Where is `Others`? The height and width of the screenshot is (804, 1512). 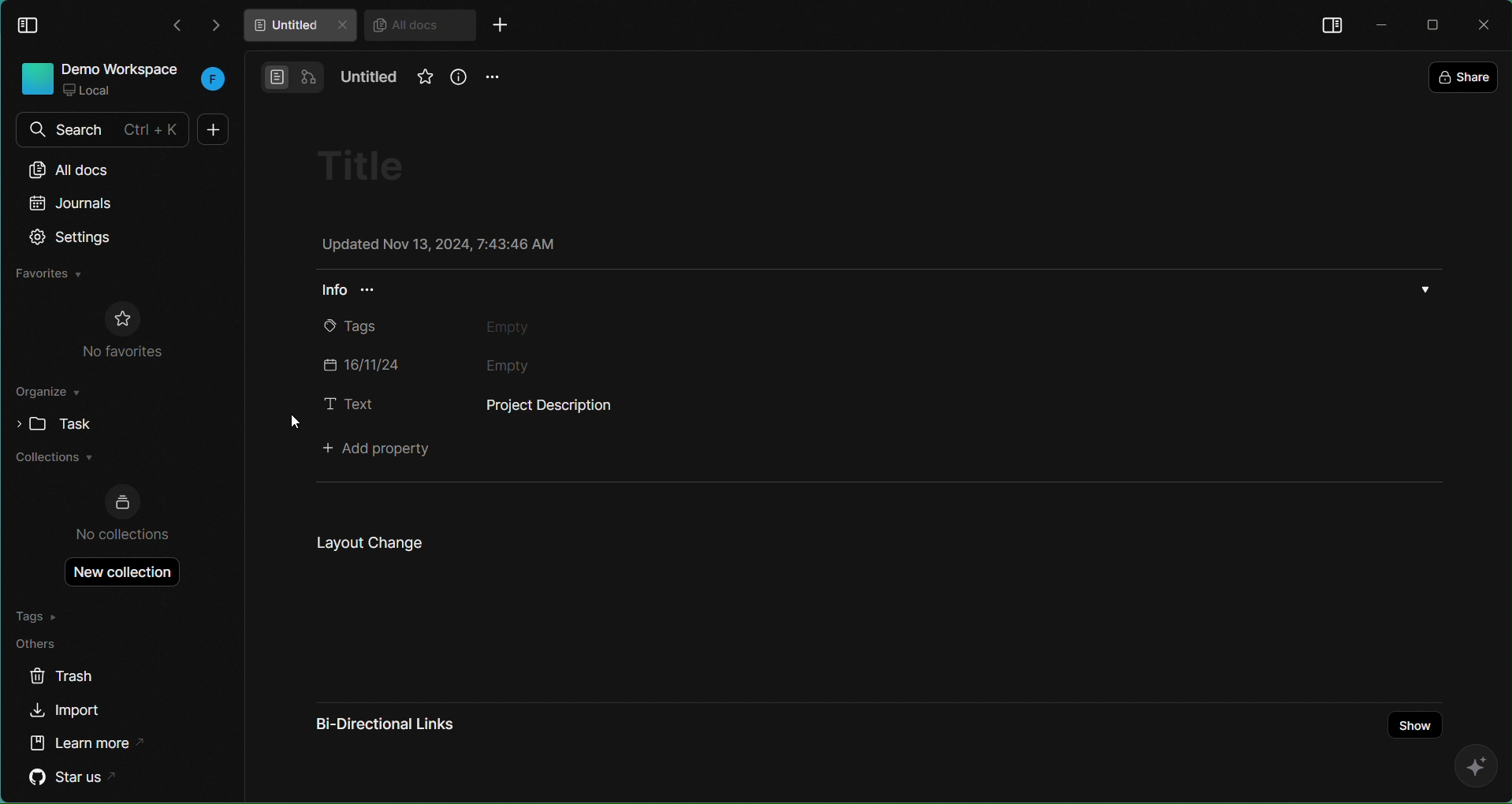
Others is located at coordinates (43, 644).